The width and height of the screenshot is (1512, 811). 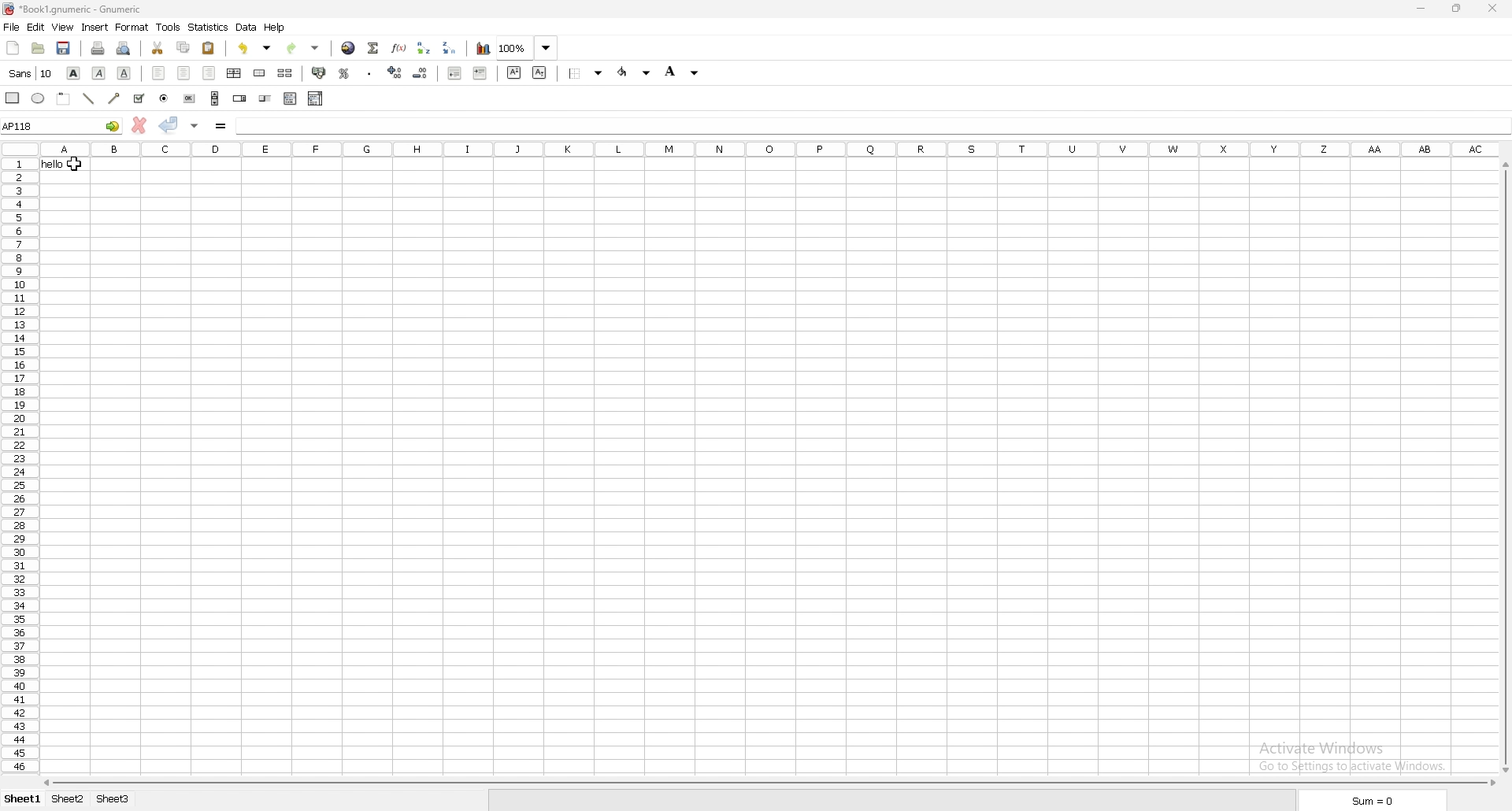 What do you see at coordinates (425, 47) in the screenshot?
I see `sort ascending` at bounding box center [425, 47].